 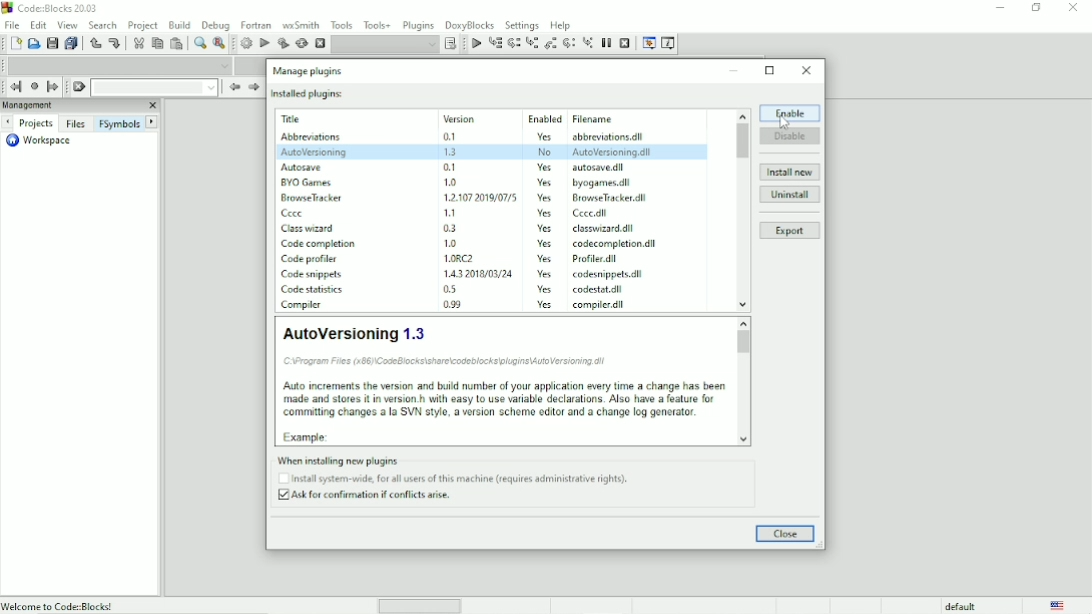 I want to click on Find, so click(x=199, y=43).